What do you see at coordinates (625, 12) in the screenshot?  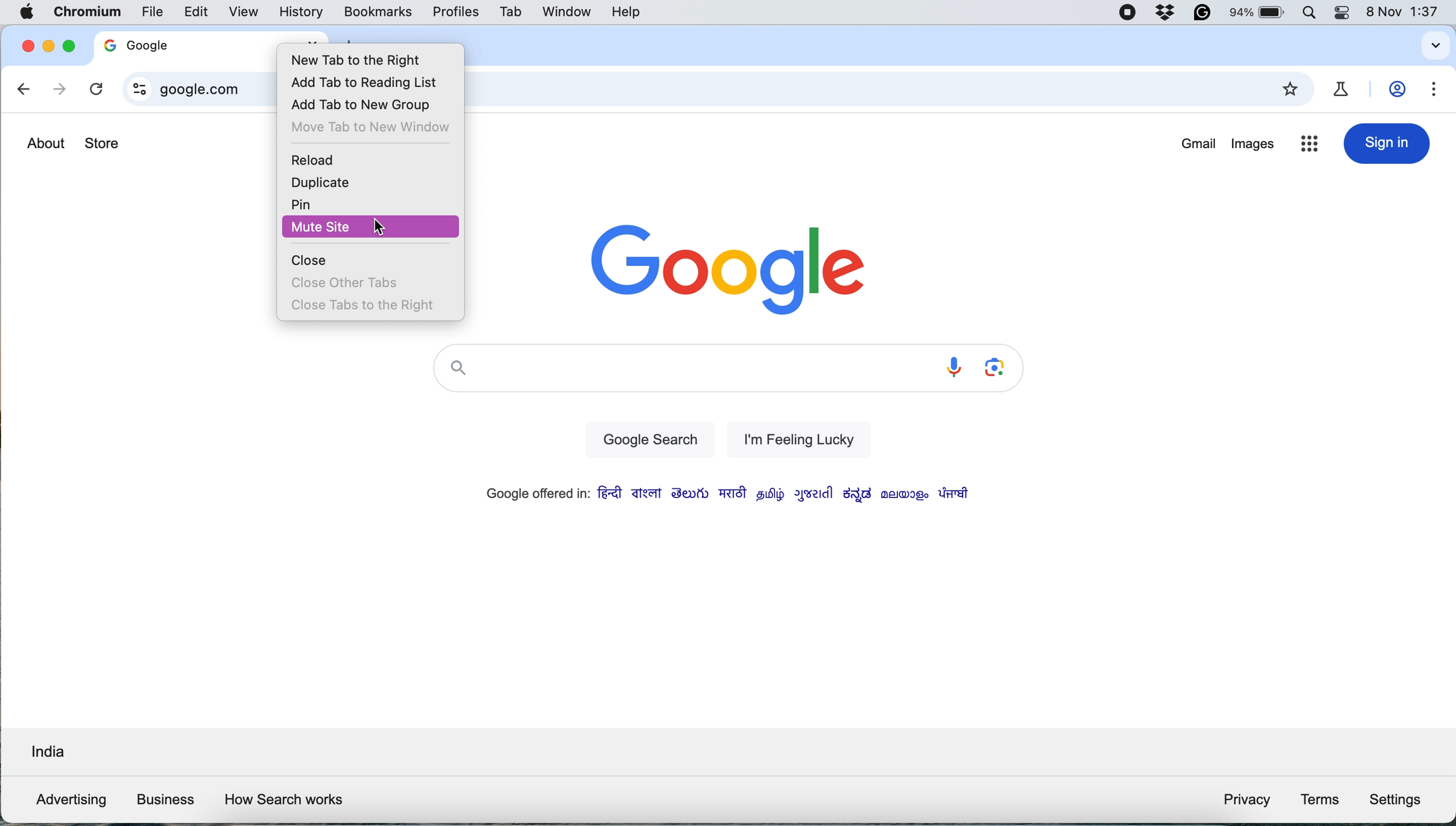 I see `help` at bounding box center [625, 12].